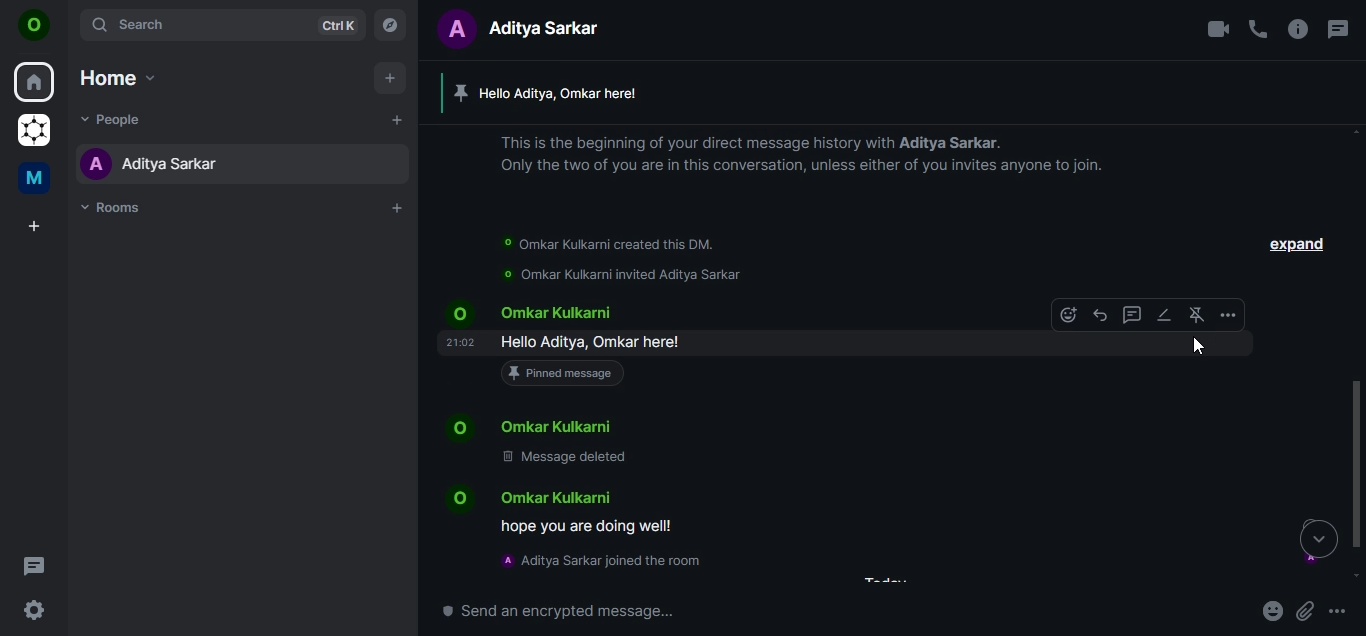 The width and height of the screenshot is (1366, 636). Describe the element at coordinates (1162, 316) in the screenshot. I see `edit` at that location.